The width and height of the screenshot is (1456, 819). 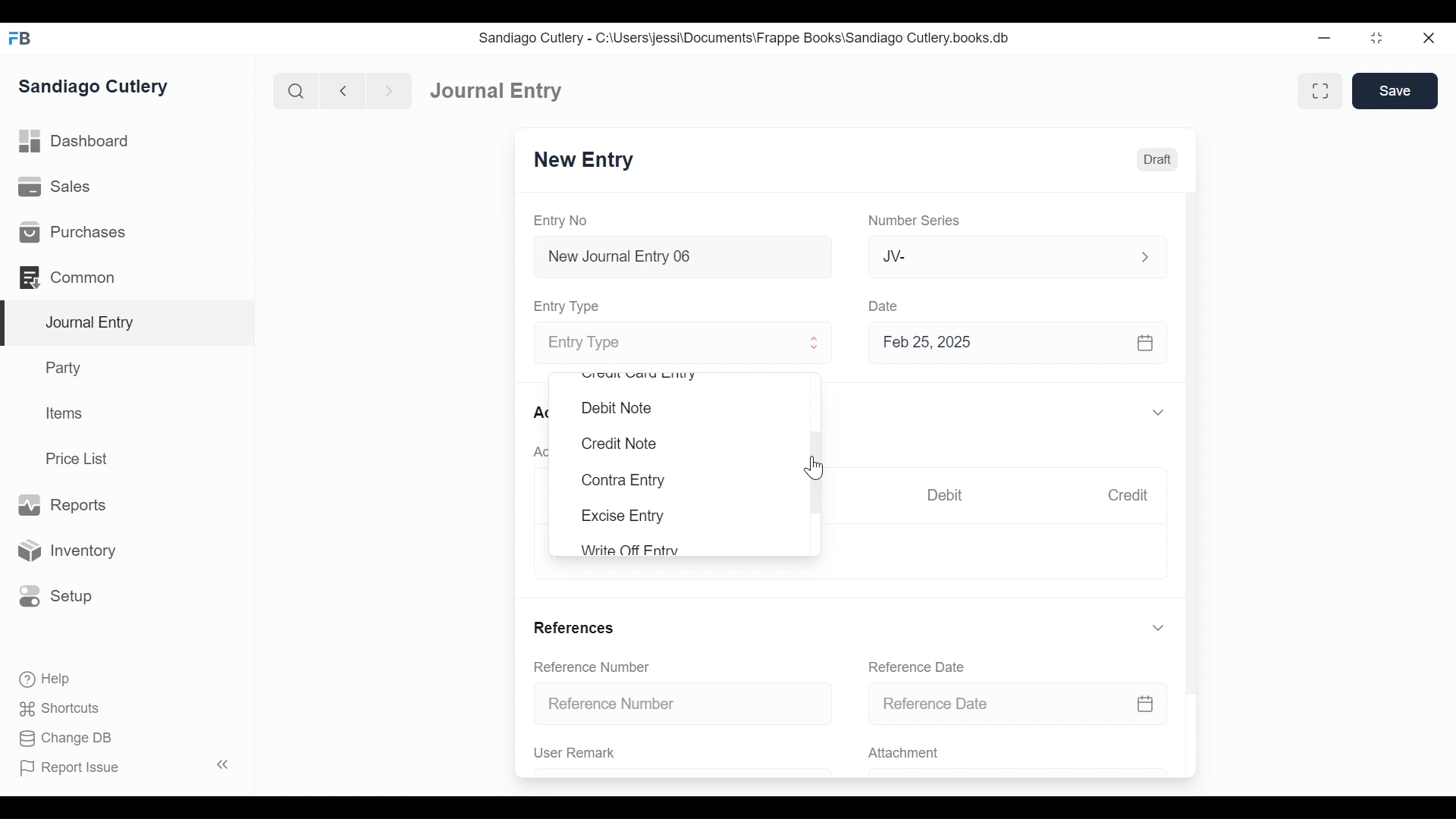 I want to click on Expand, so click(x=1145, y=257).